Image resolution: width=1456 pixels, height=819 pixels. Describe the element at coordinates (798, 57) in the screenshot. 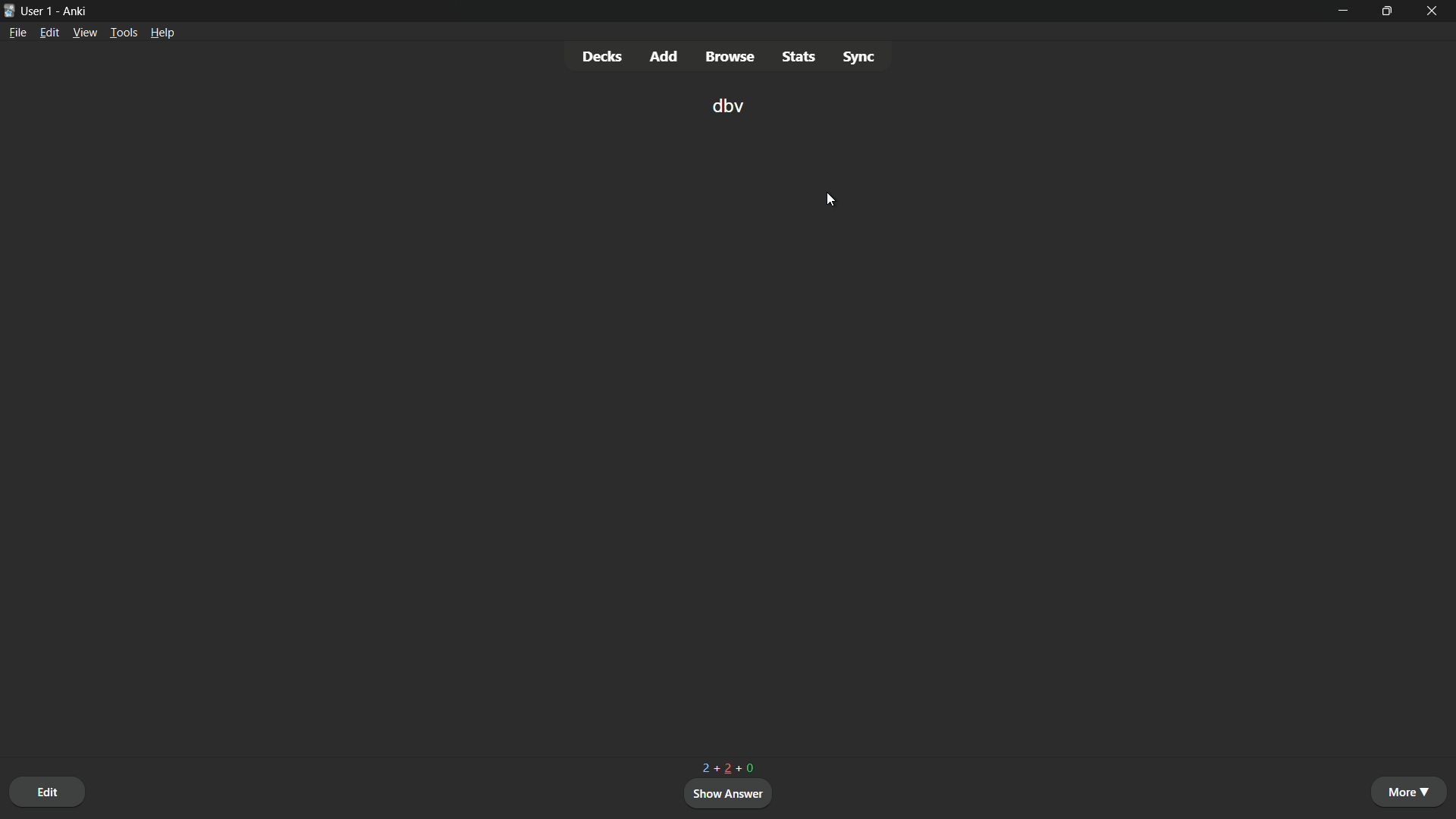

I see `stats` at that location.